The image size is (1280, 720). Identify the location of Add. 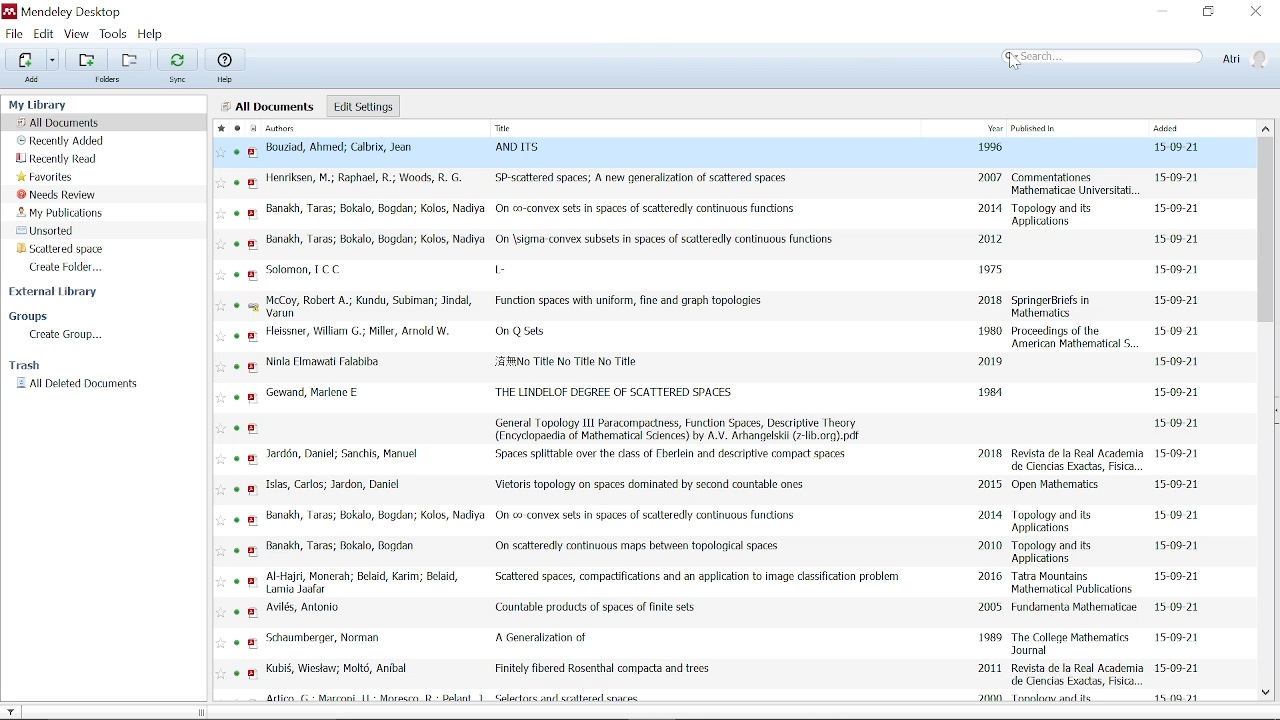
(32, 79).